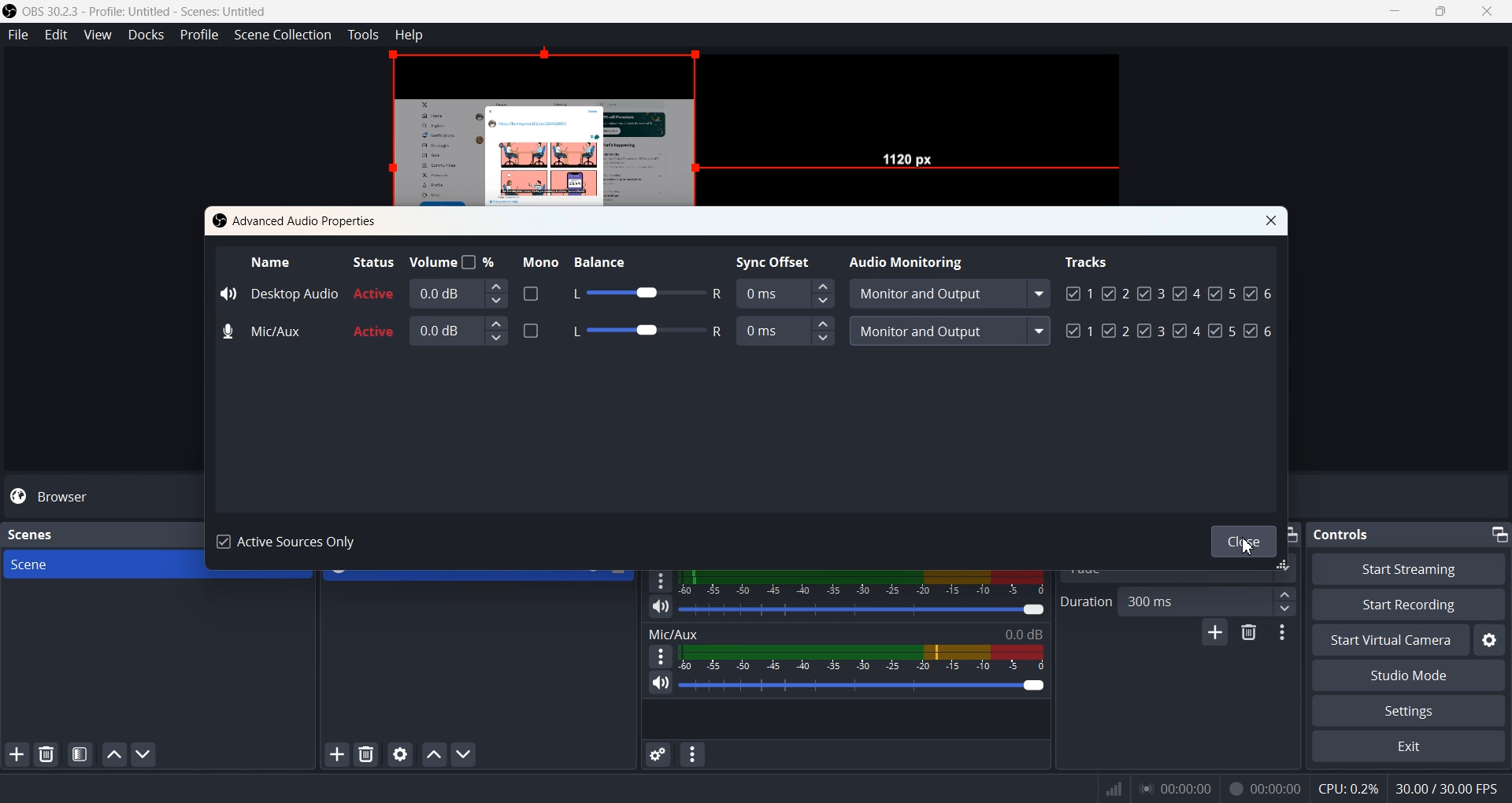  I want to click on More, so click(658, 656).